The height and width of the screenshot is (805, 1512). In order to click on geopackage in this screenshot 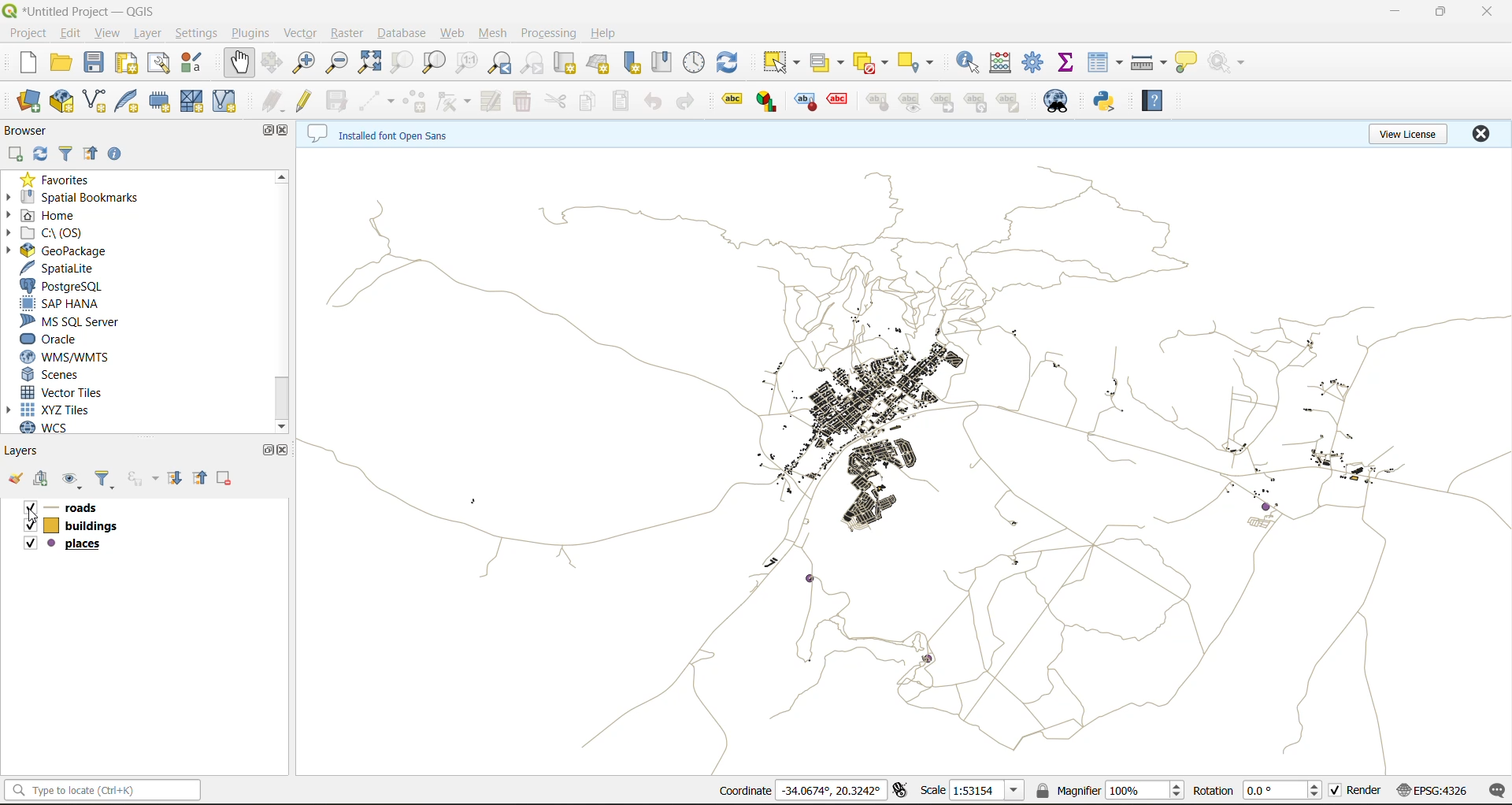, I will do `click(80, 252)`.